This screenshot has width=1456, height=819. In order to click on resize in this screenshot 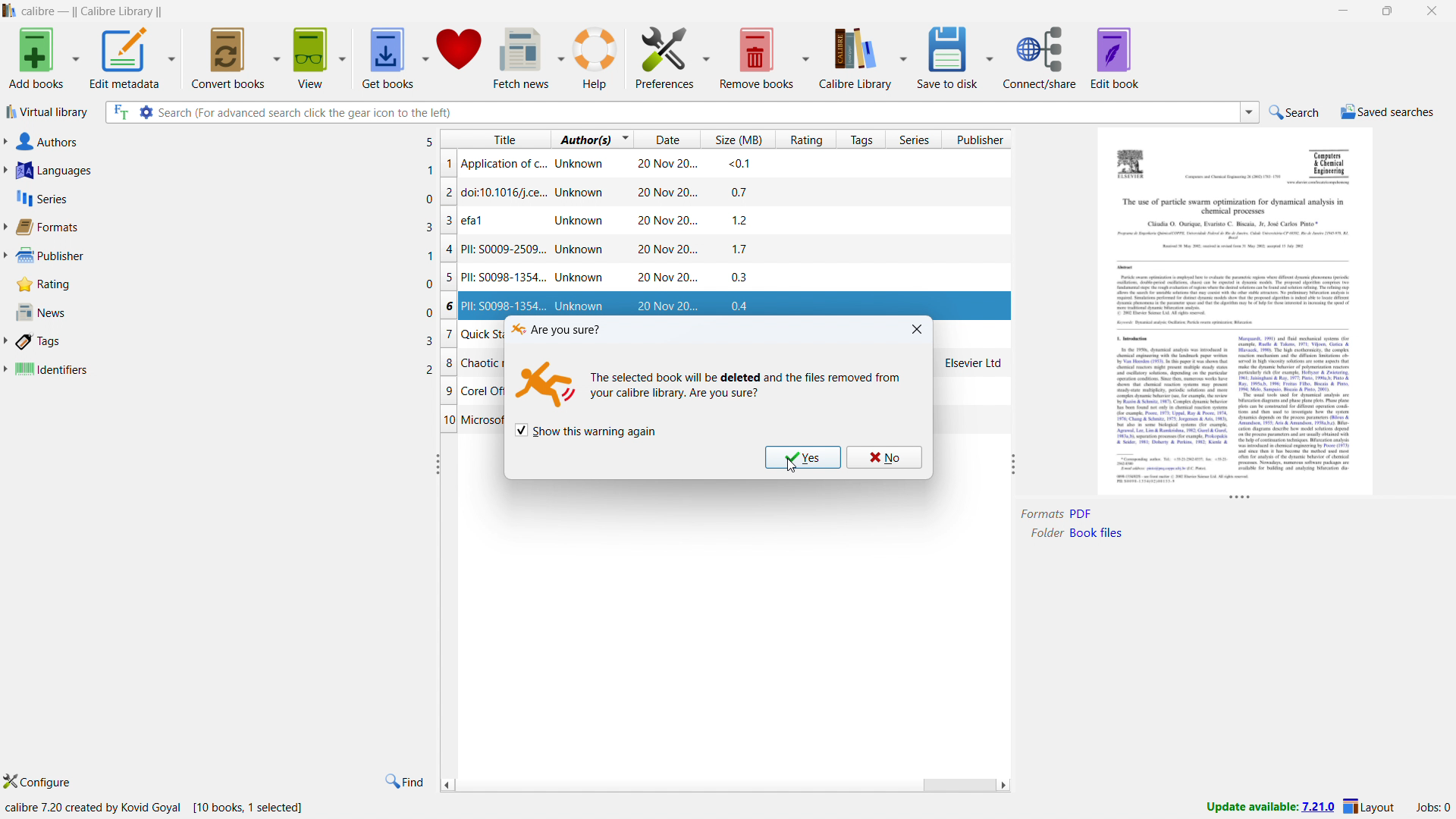, I will do `click(438, 464)`.